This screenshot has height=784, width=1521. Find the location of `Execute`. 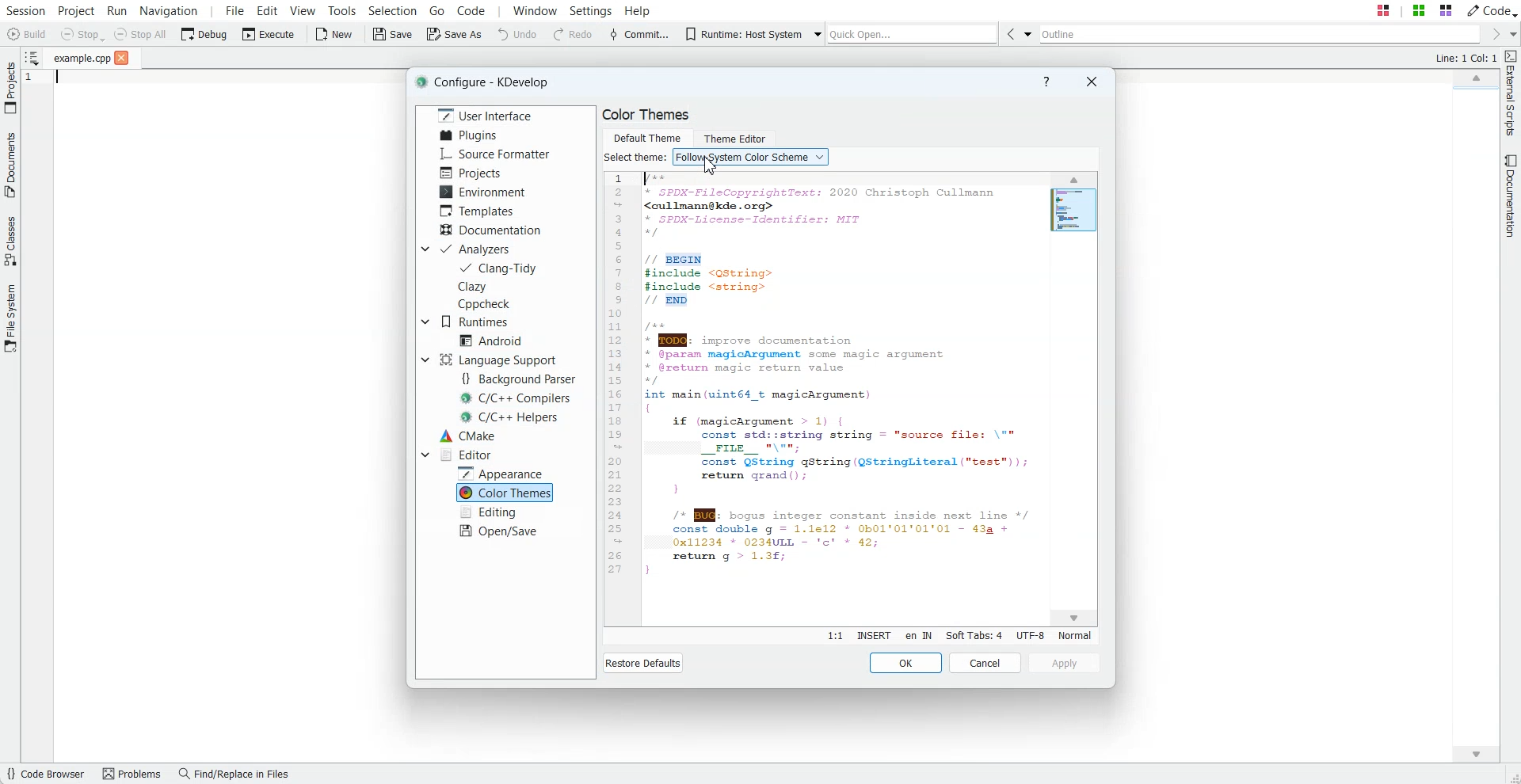

Execute is located at coordinates (269, 34).